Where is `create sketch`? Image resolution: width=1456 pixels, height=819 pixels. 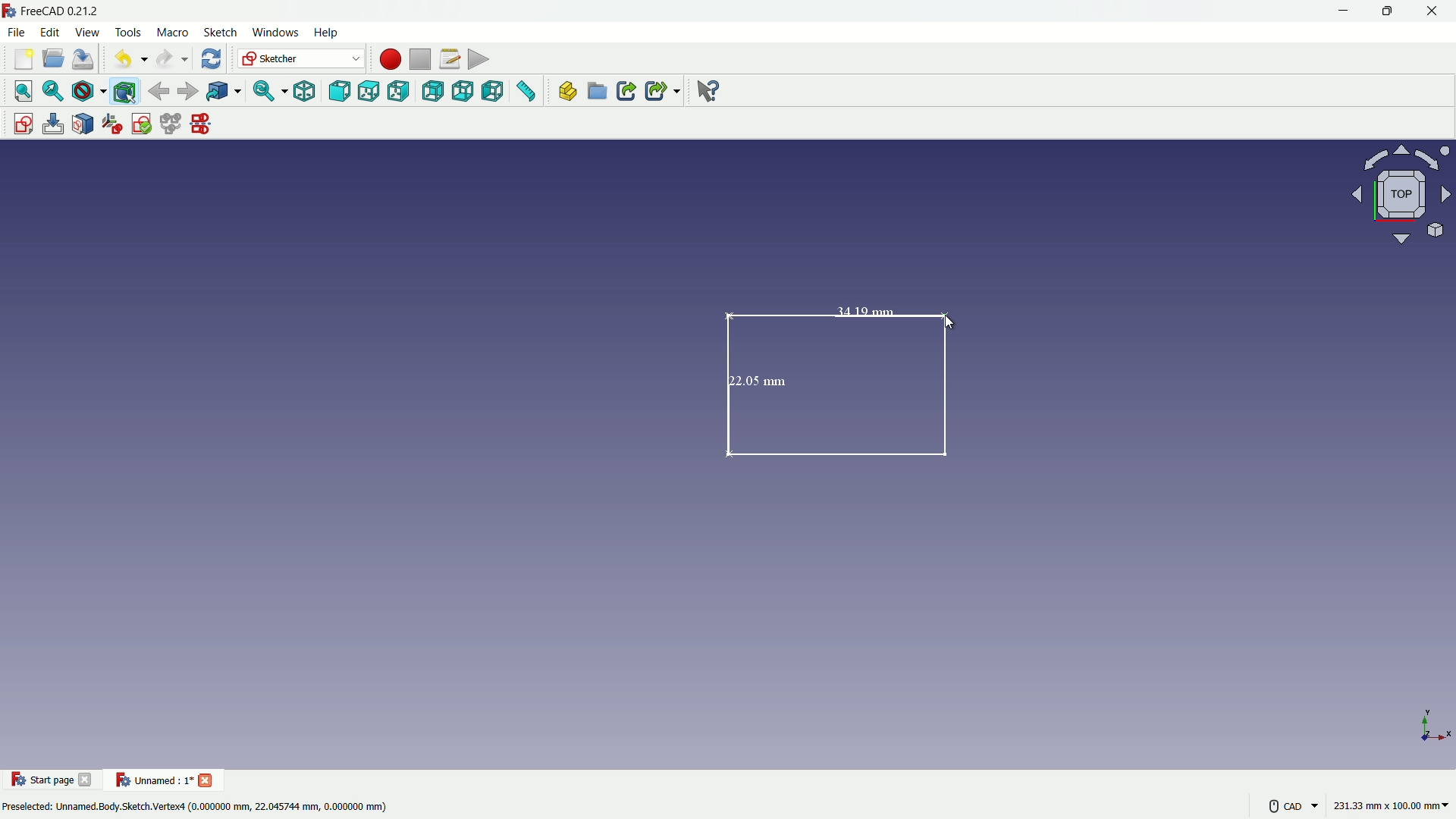 create sketch is located at coordinates (19, 122).